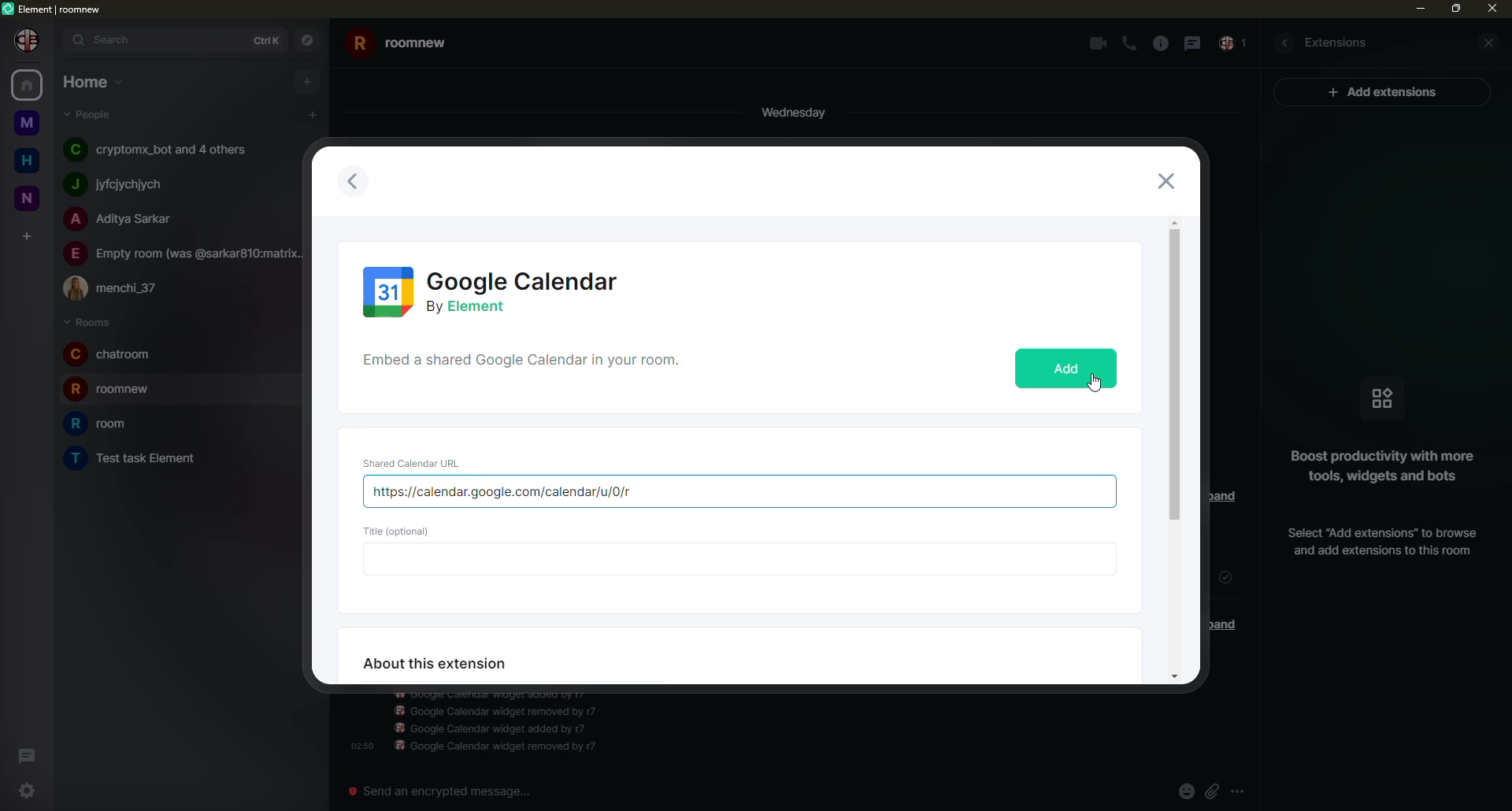 The width and height of the screenshot is (1512, 811). I want to click on ad, so click(1389, 93).